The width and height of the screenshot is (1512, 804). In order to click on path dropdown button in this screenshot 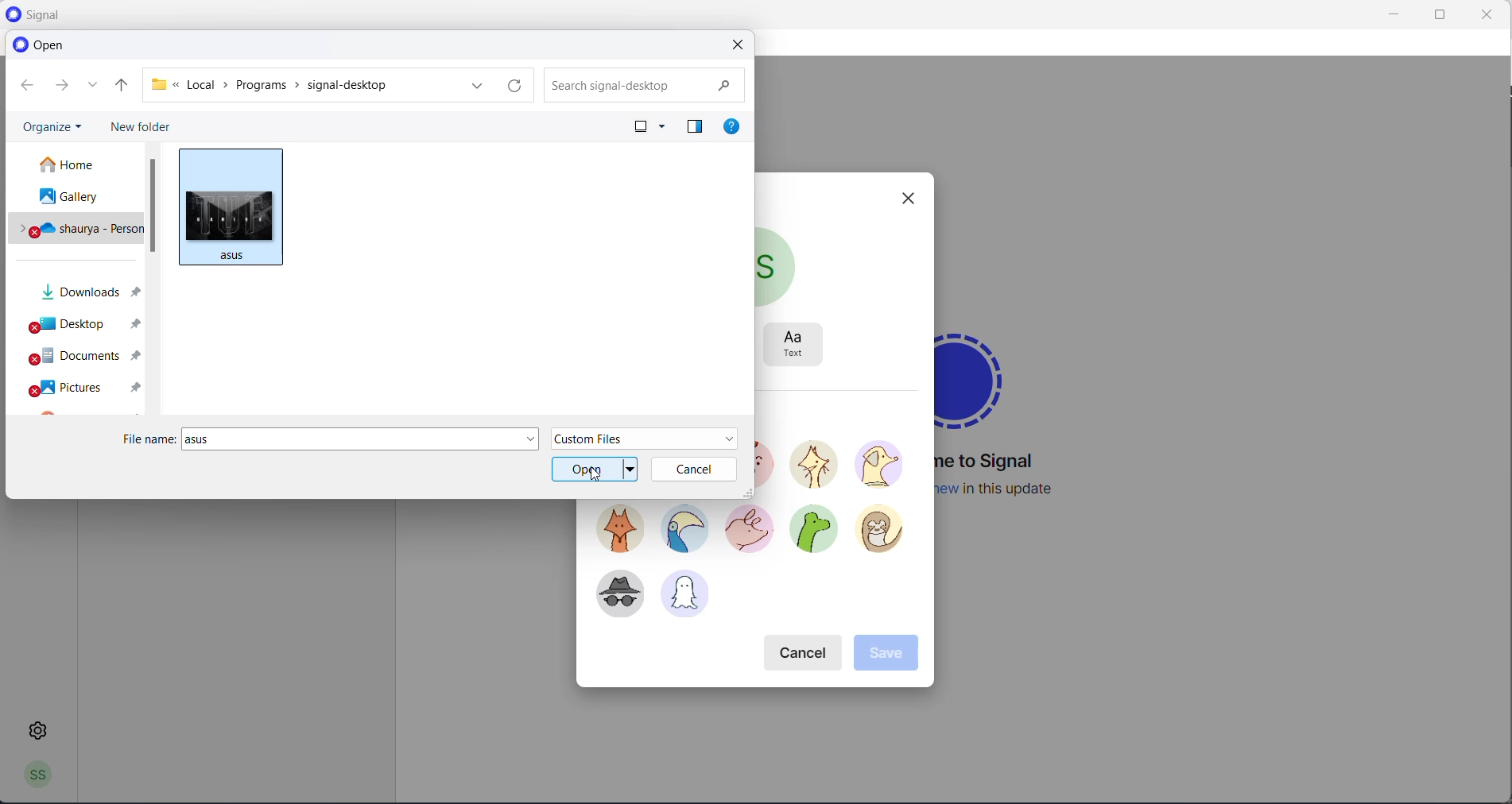, I will do `click(475, 88)`.